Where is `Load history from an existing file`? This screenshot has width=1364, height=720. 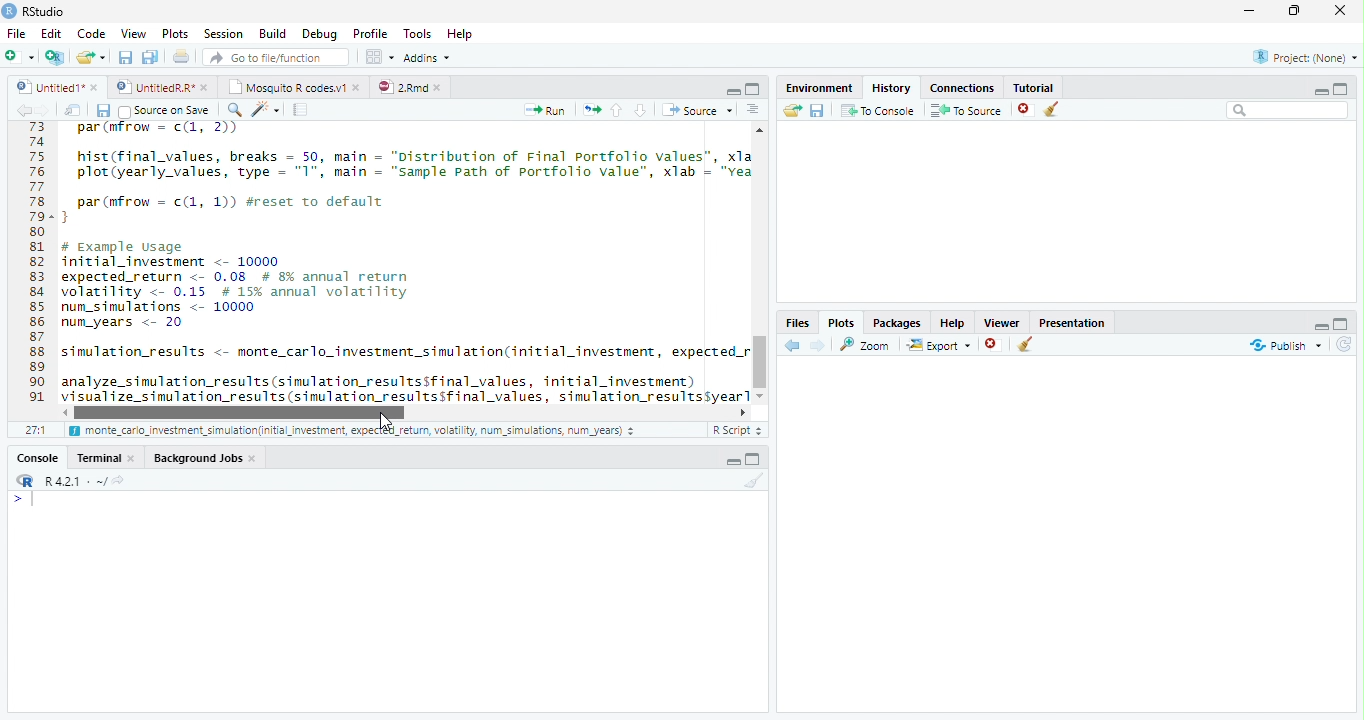 Load history from an existing file is located at coordinates (791, 111).